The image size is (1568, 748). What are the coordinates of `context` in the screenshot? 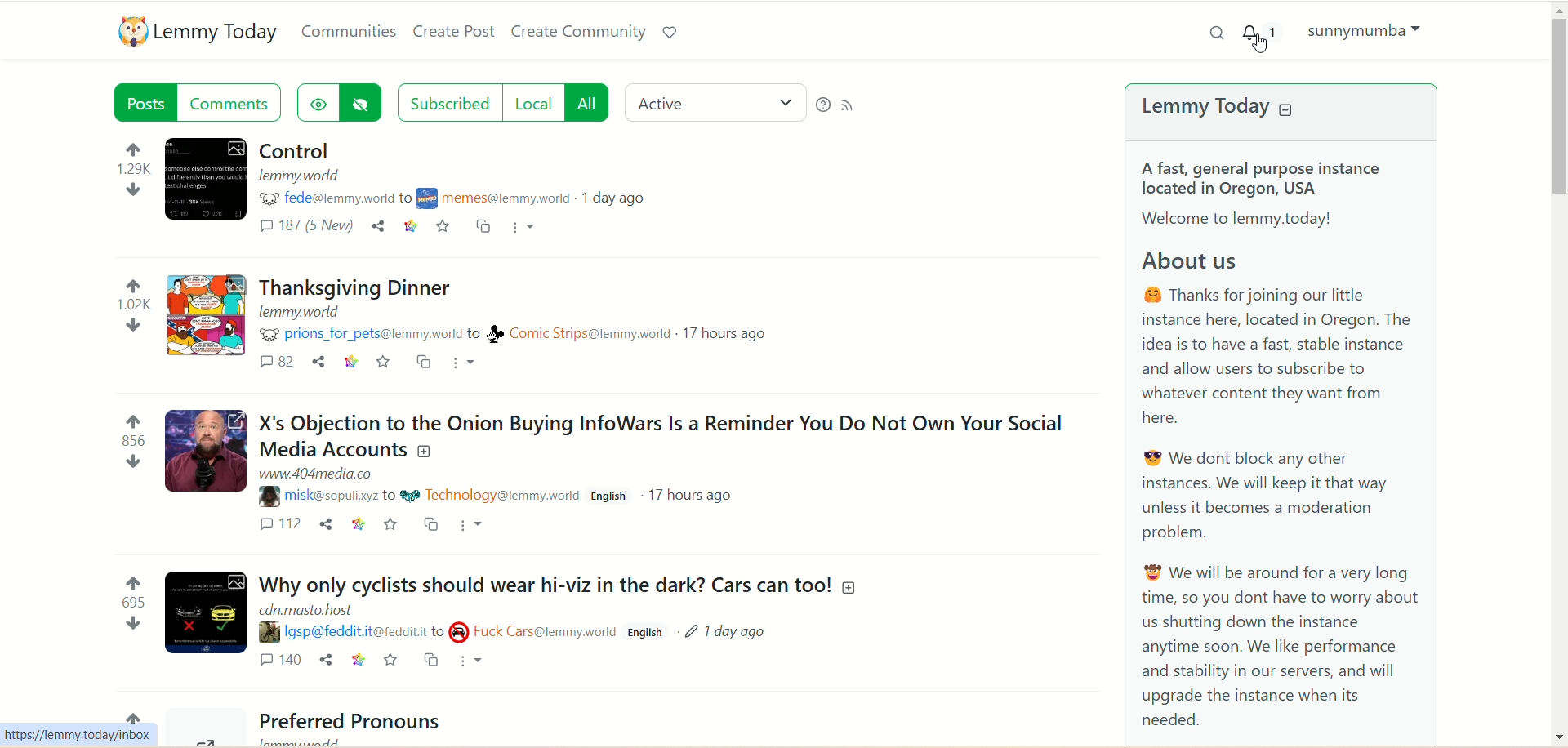 It's located at (361, 662).